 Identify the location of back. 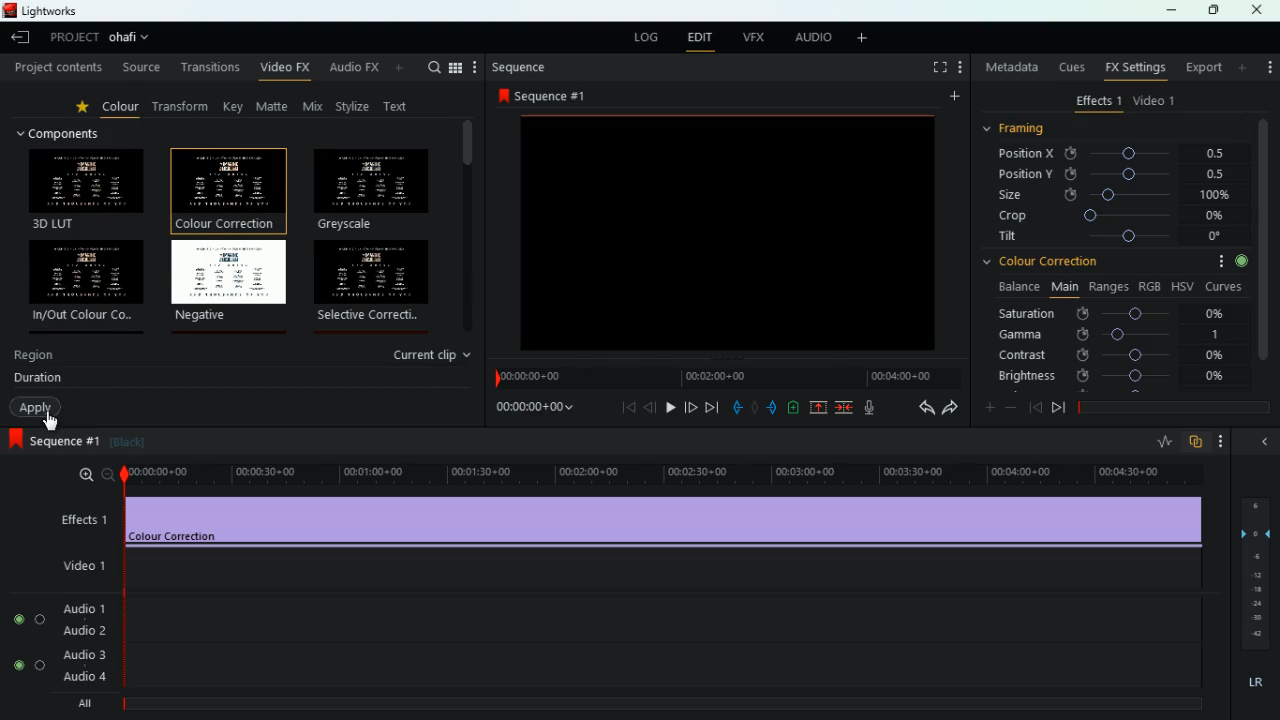
(733, 406).